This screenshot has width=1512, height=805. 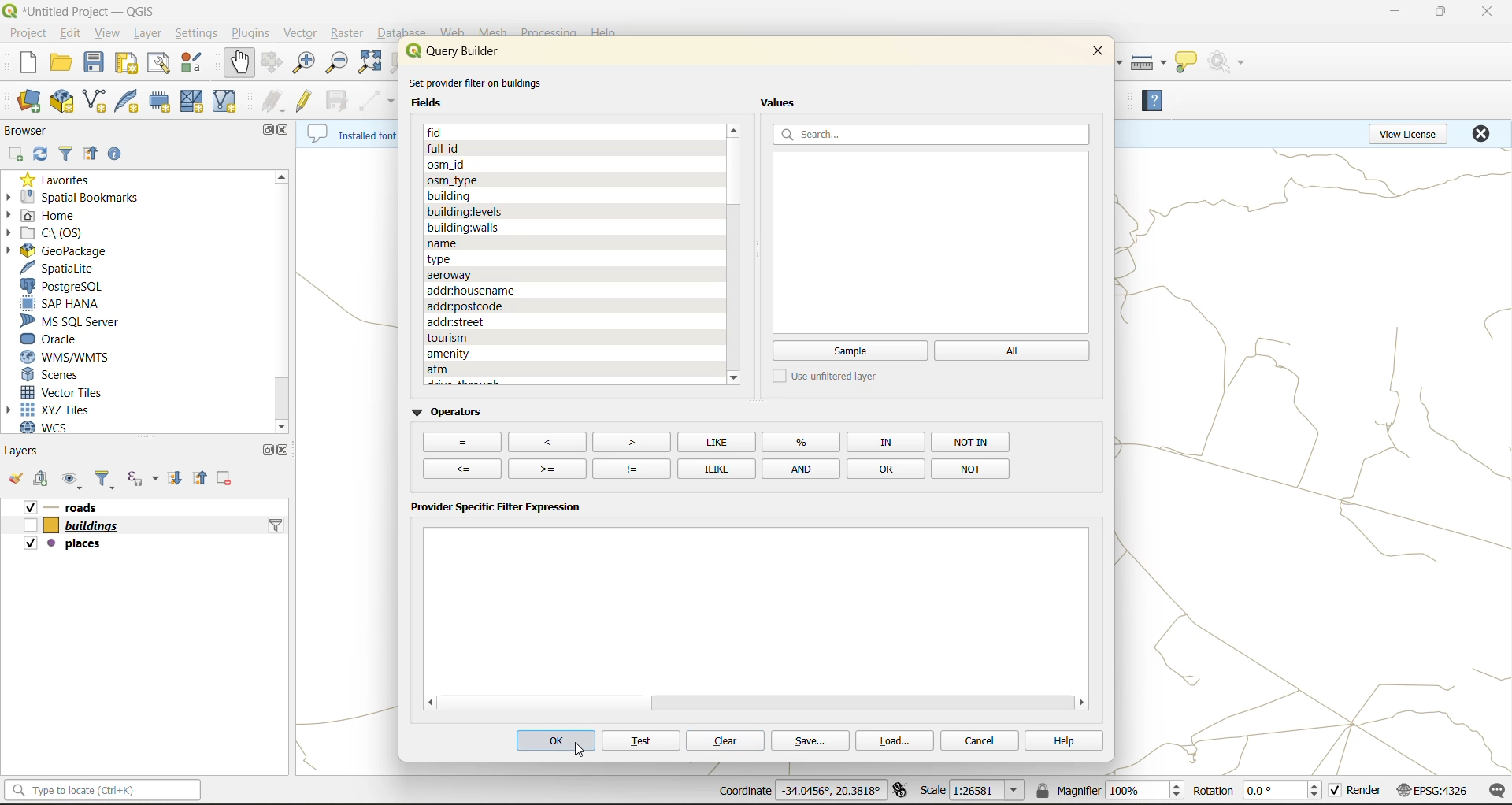 What do you see at coordinates (605, 703) in the screenshot?
I see `scroll bar` at bounding box center [605, 703].